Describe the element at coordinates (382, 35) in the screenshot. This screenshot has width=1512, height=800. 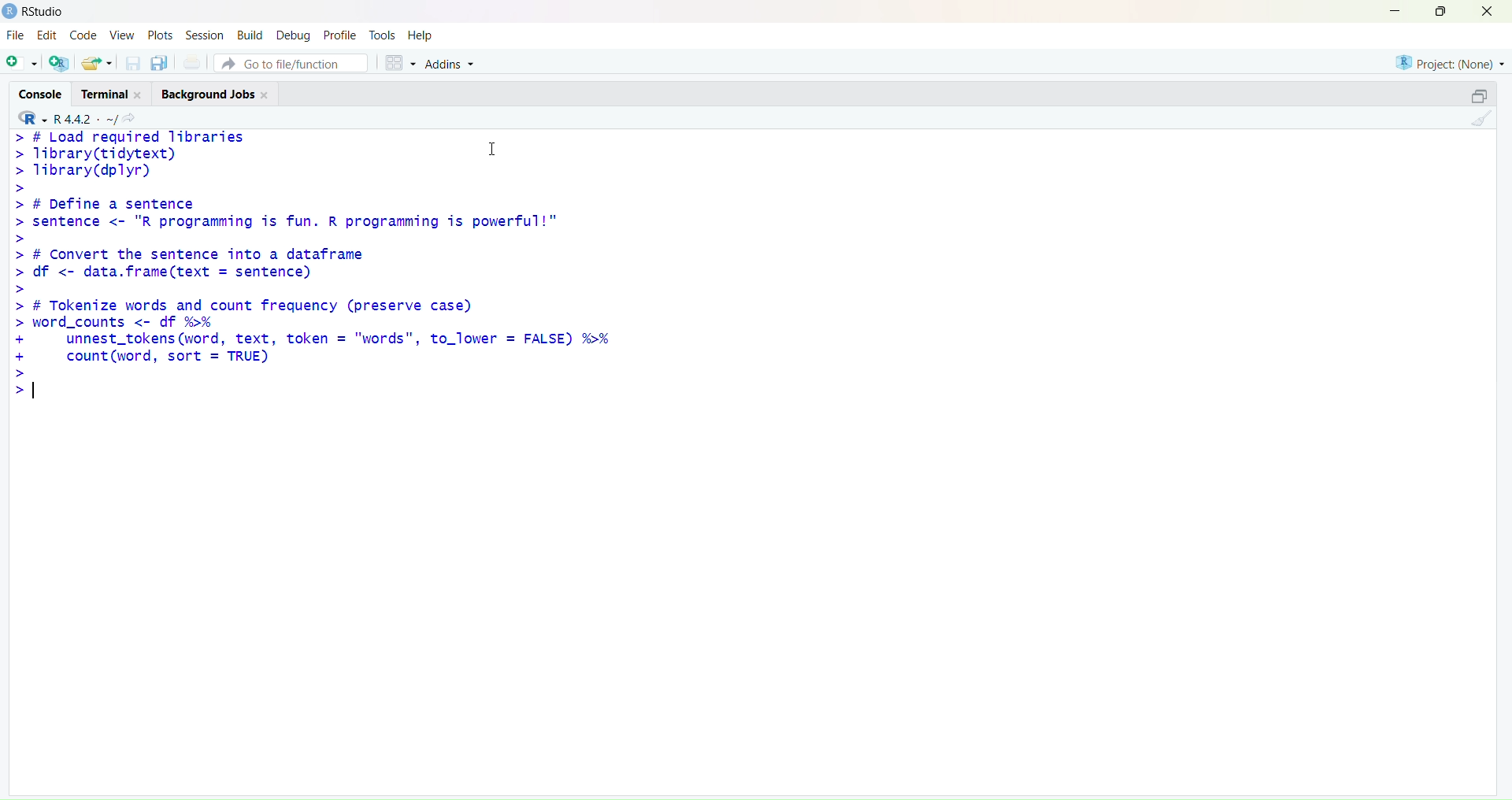
I see `tools` at that location.